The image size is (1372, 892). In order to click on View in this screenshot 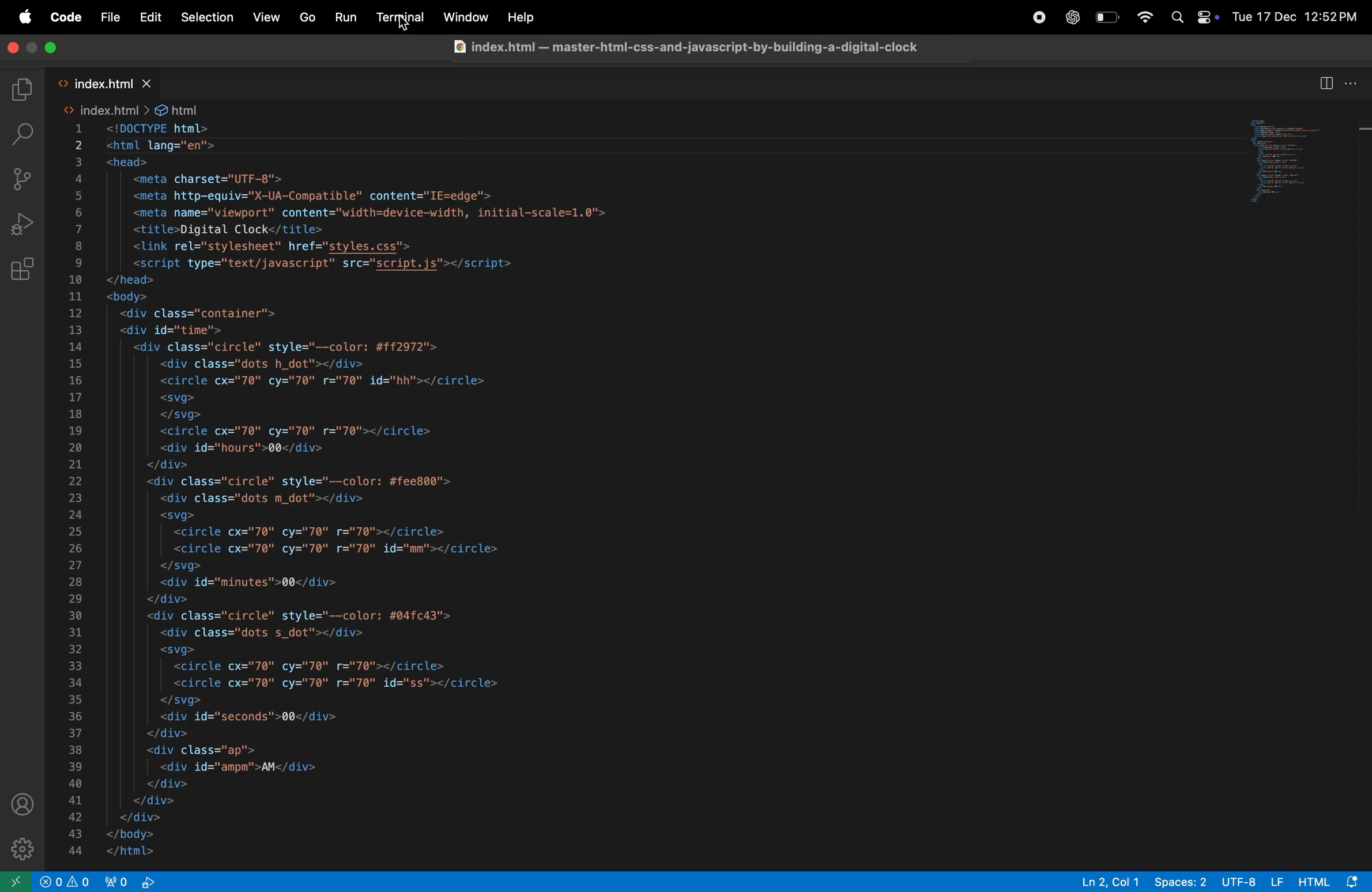, I will do `click(267, 17)`.